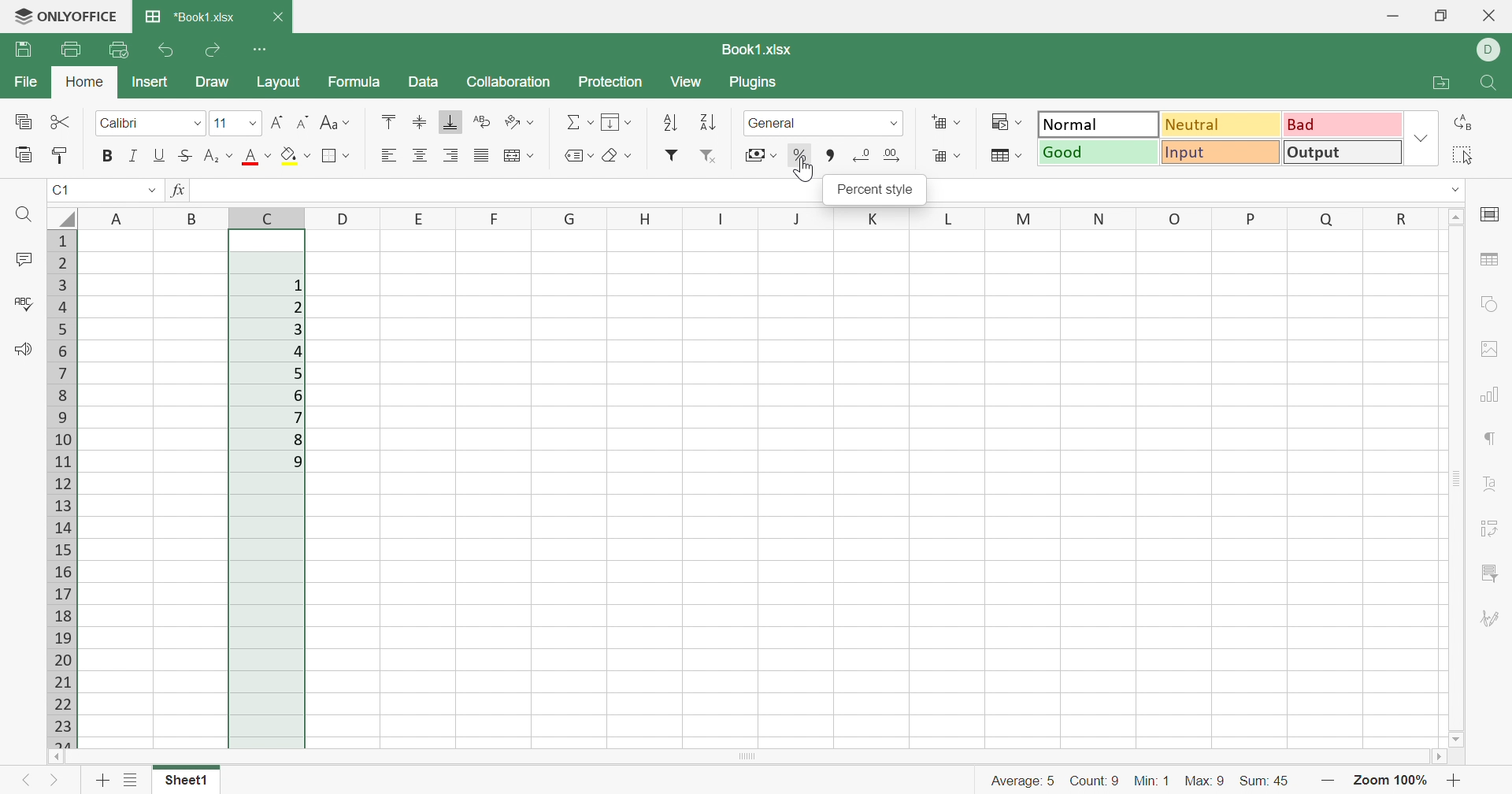 The height and width of the screenshot is (794, 1512). I want to click on Add sheet, so click(102, 780).